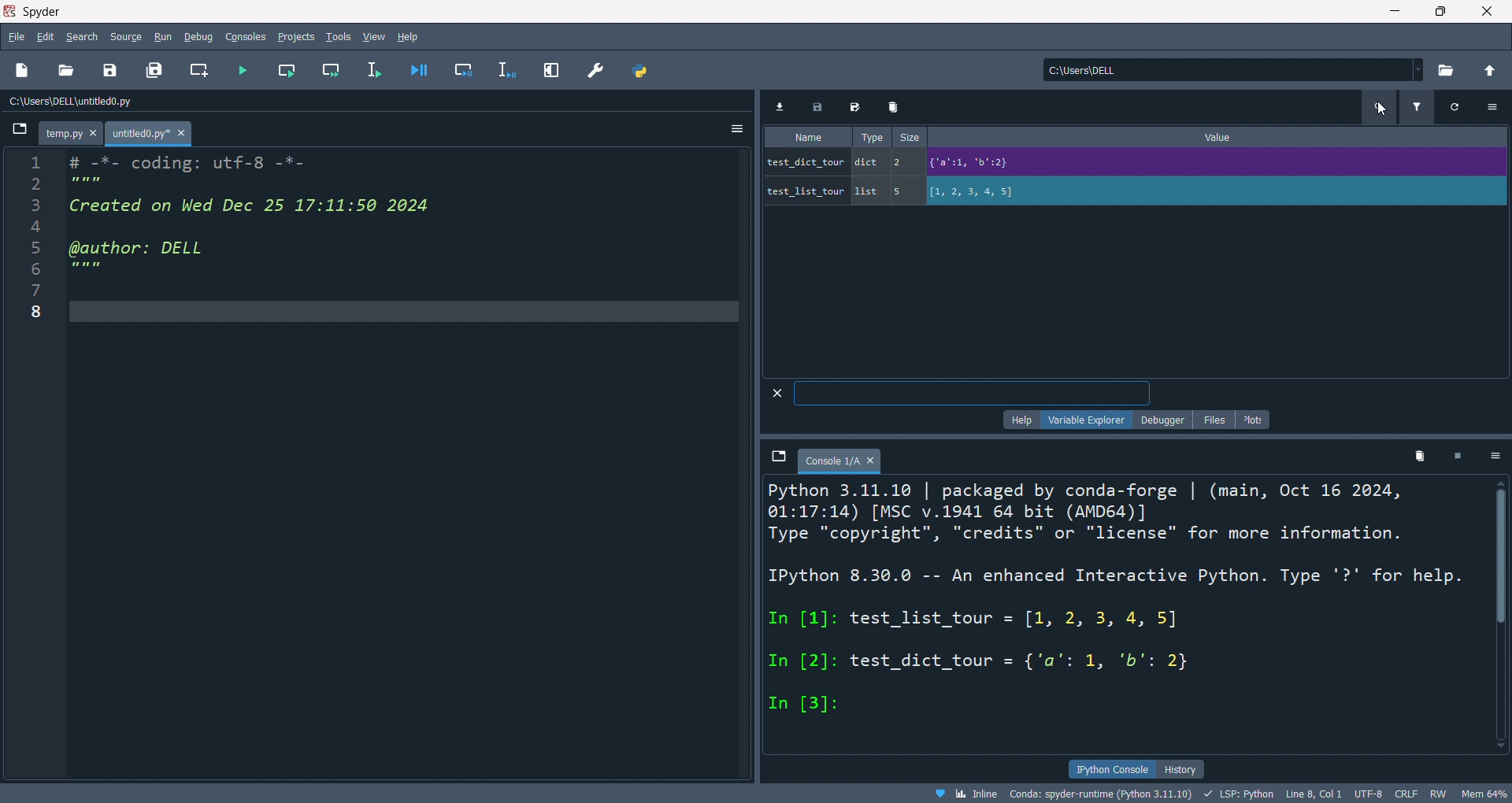 This screenshot has width=1512, height=803. I want to click on ipython console, so click(1112, 768).